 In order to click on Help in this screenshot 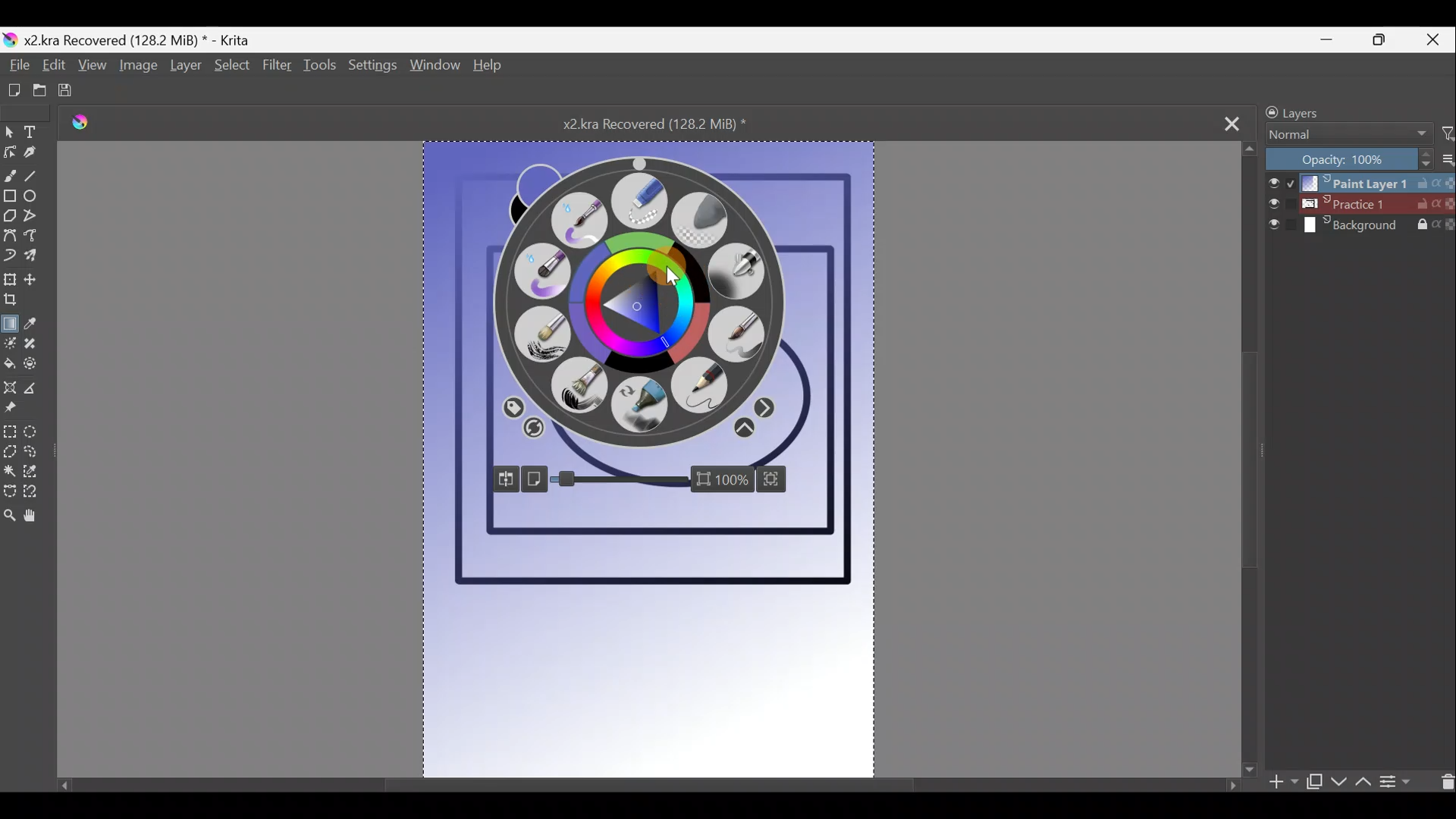, I will do `click(488, 67)`.